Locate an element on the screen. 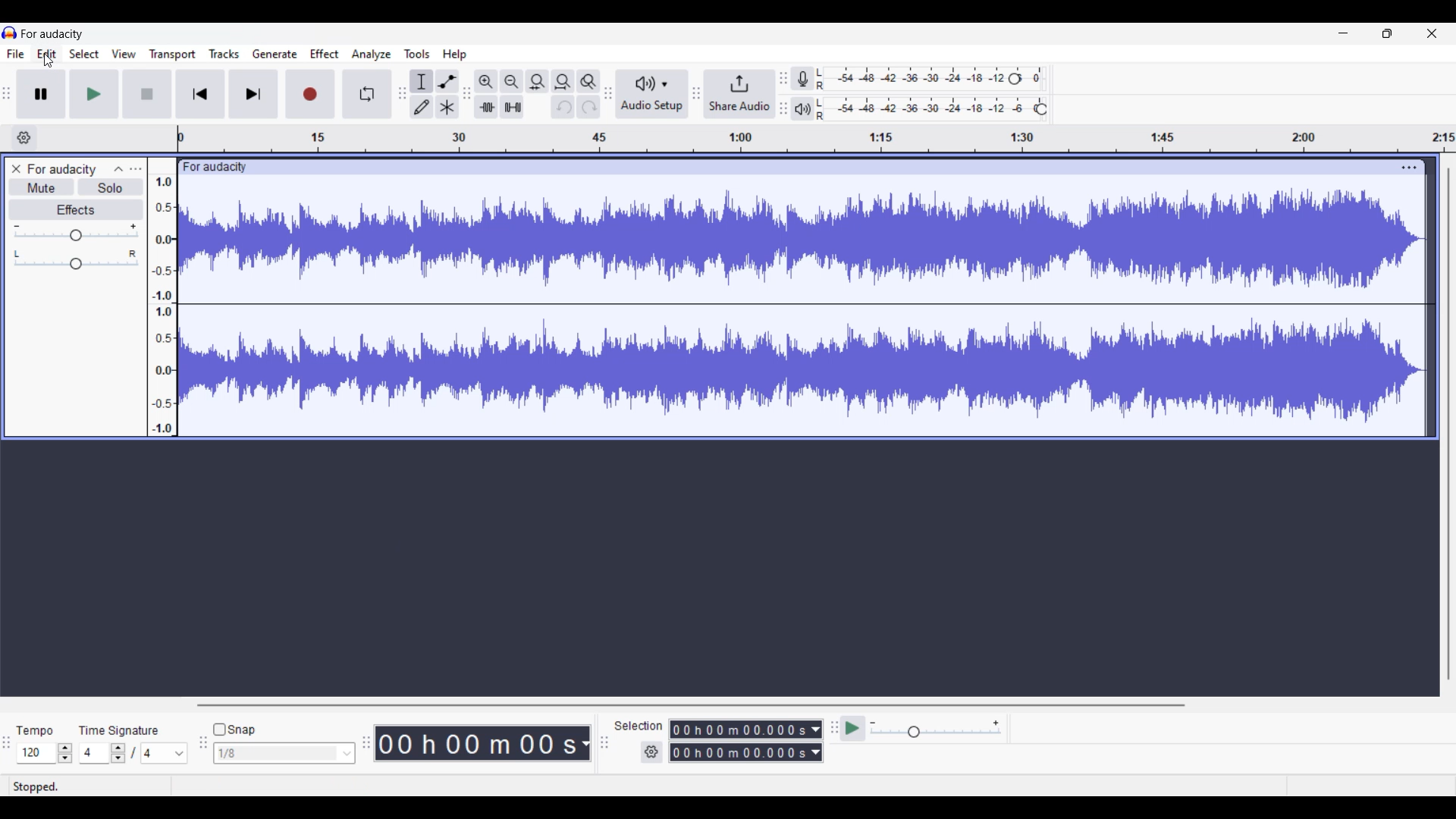 The image size is (1456, 819). Multi-tool is located at coordinates (447, 107).